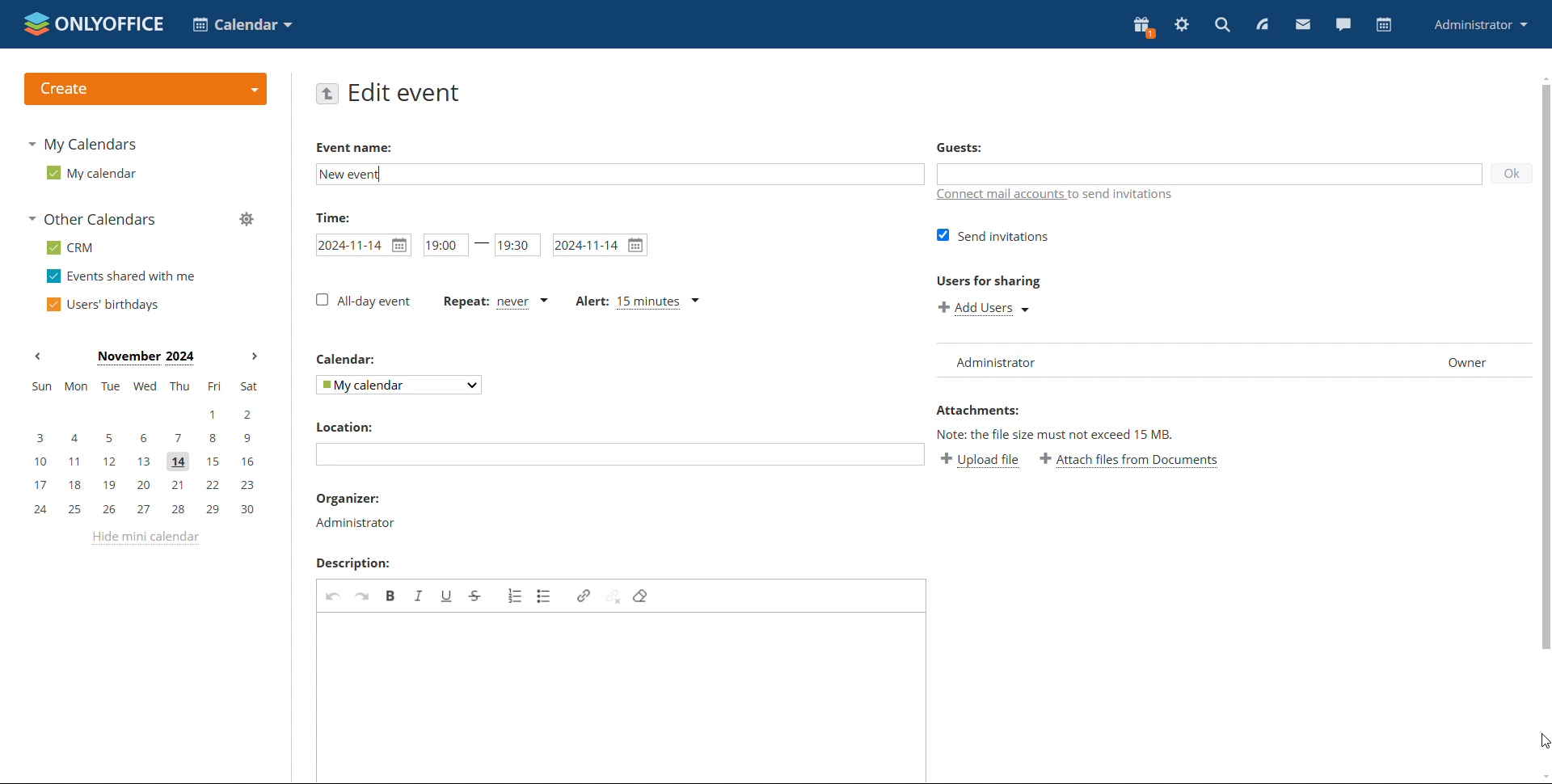 Image resolution: width=1552 pixels, height=784 pixels. I want to click on start date, so click(364, 245).